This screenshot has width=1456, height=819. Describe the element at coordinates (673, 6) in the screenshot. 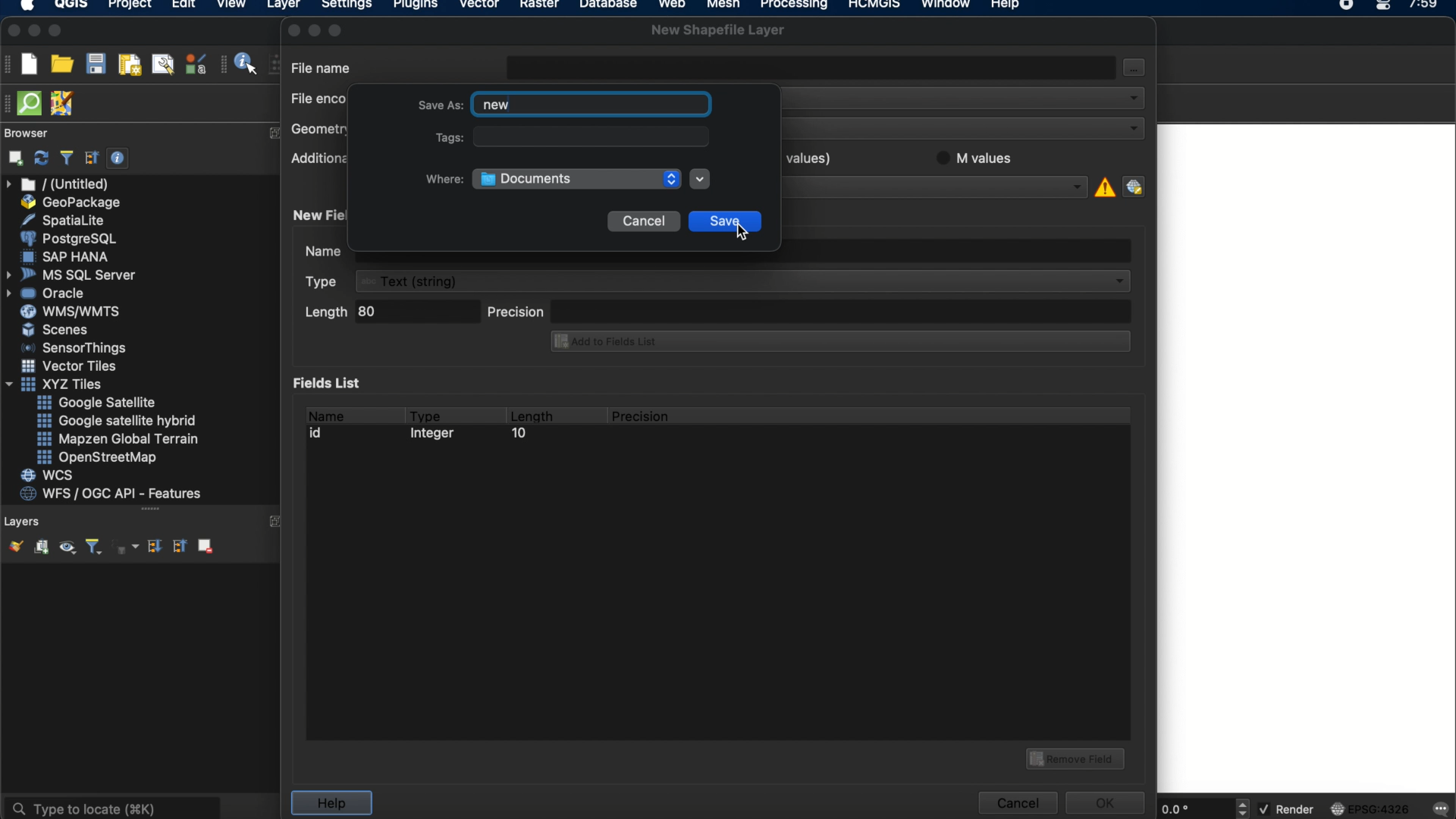

I see `web` at that location.